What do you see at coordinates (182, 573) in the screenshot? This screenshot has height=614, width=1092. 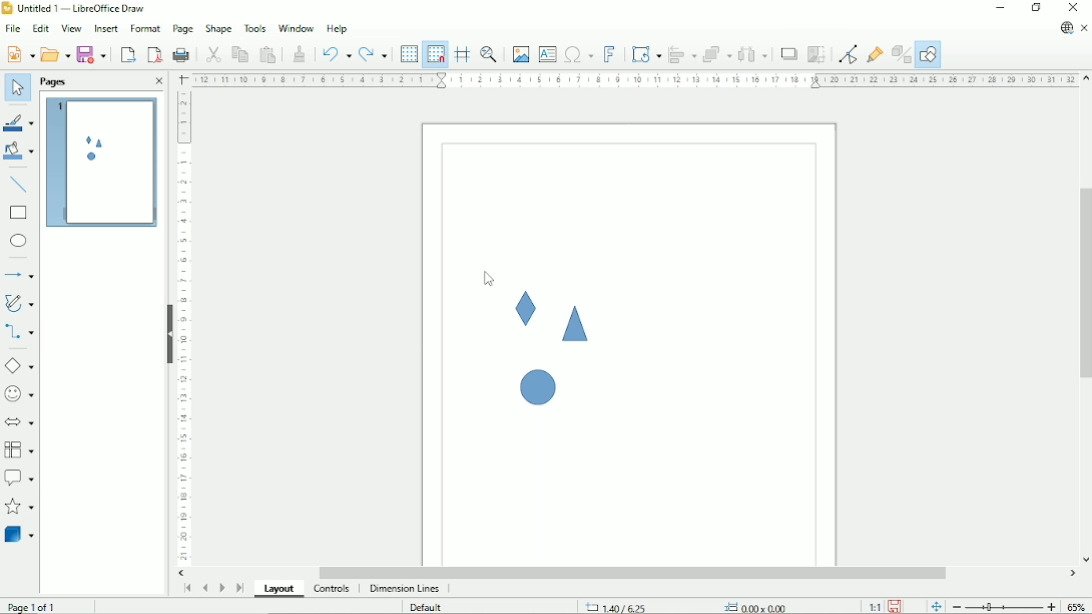 I see `Horizontal scroll button` at bounding box center [182, 573].